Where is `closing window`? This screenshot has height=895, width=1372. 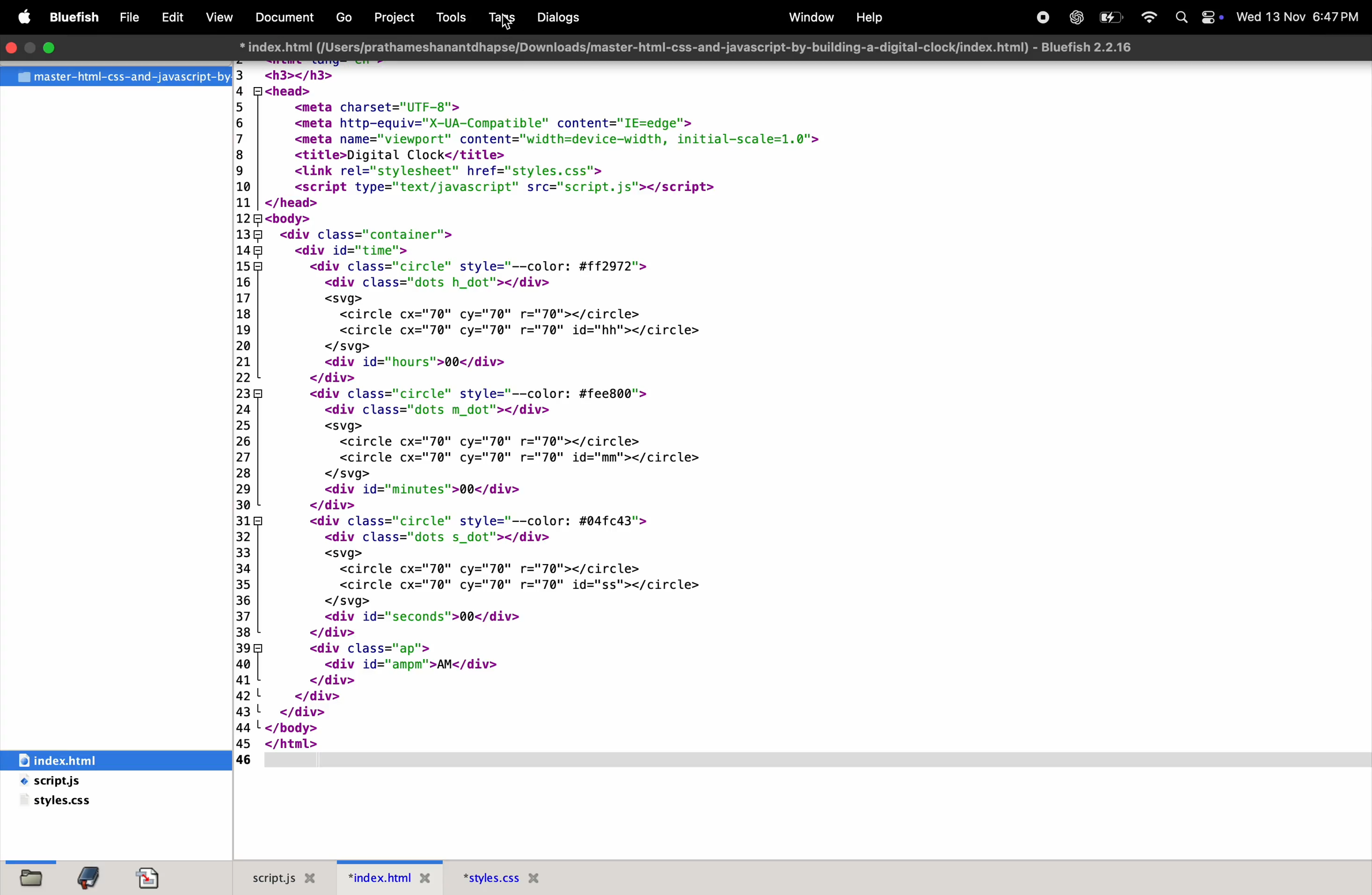
closing window is located at coordinates (13, 48).